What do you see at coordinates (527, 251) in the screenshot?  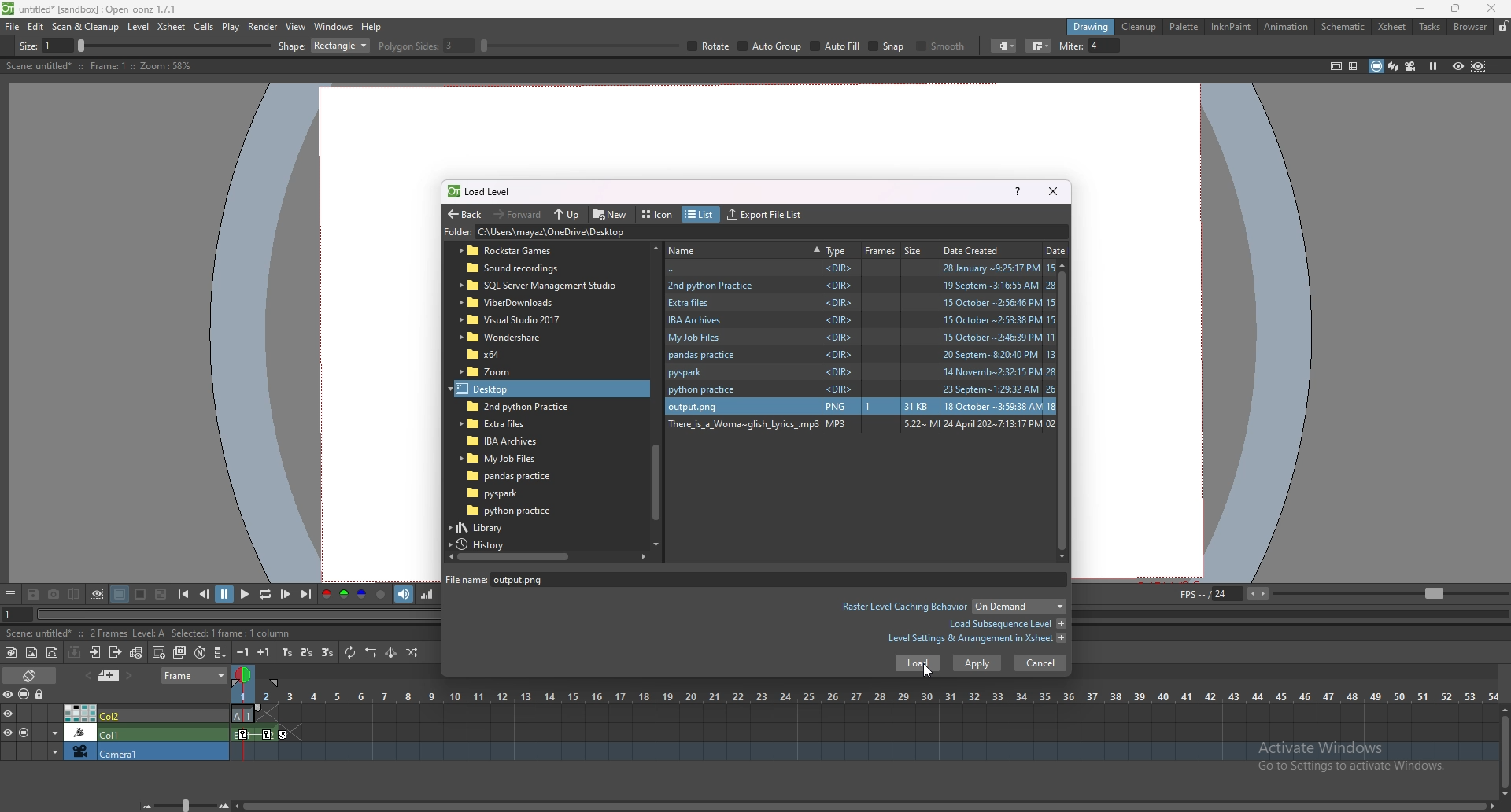 I see `folder` at bounding box center [527, 251].